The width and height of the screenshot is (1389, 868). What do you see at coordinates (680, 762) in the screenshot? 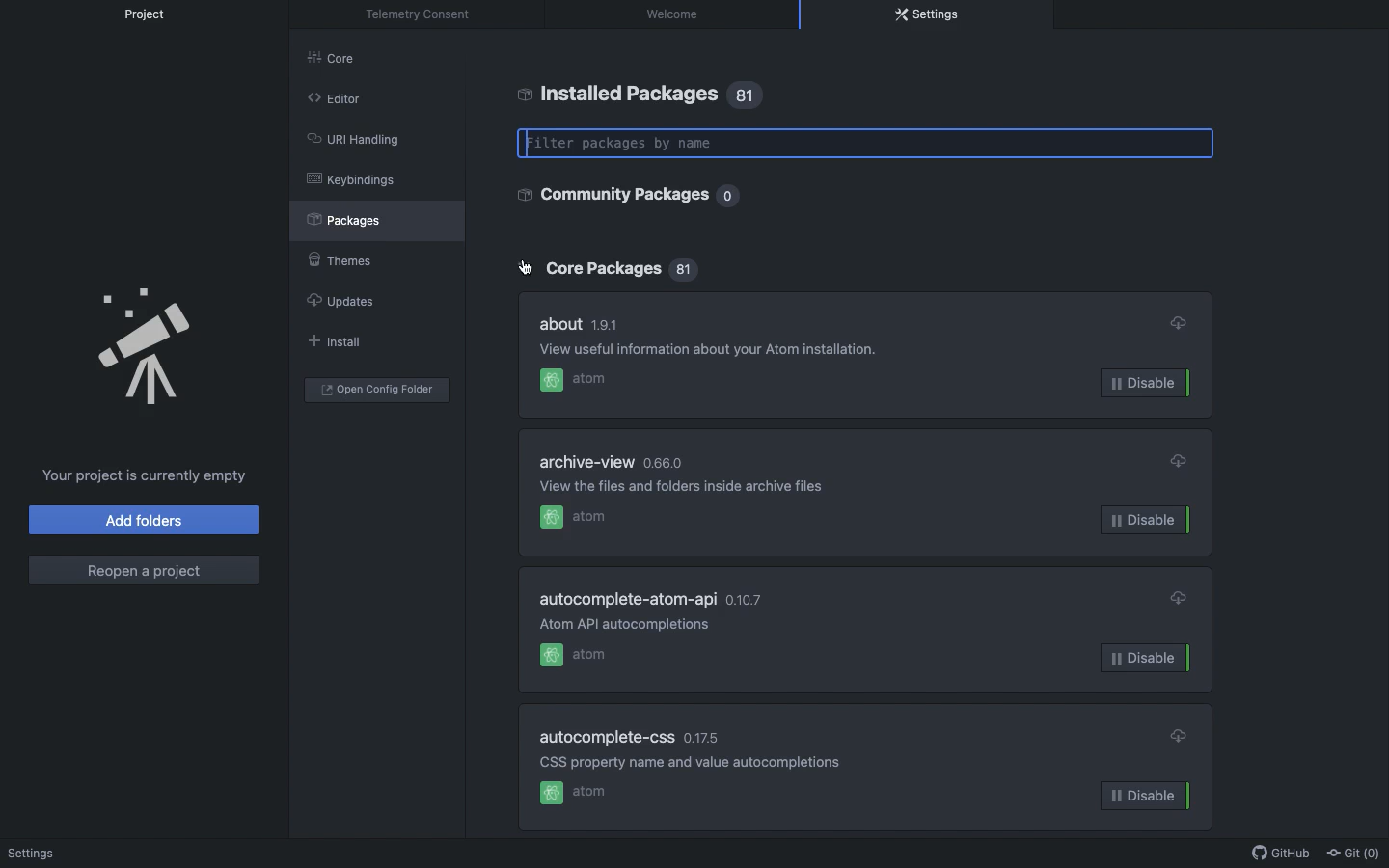
I see `(CSS property name and value autocompletions` at bounding box center [680, 762].